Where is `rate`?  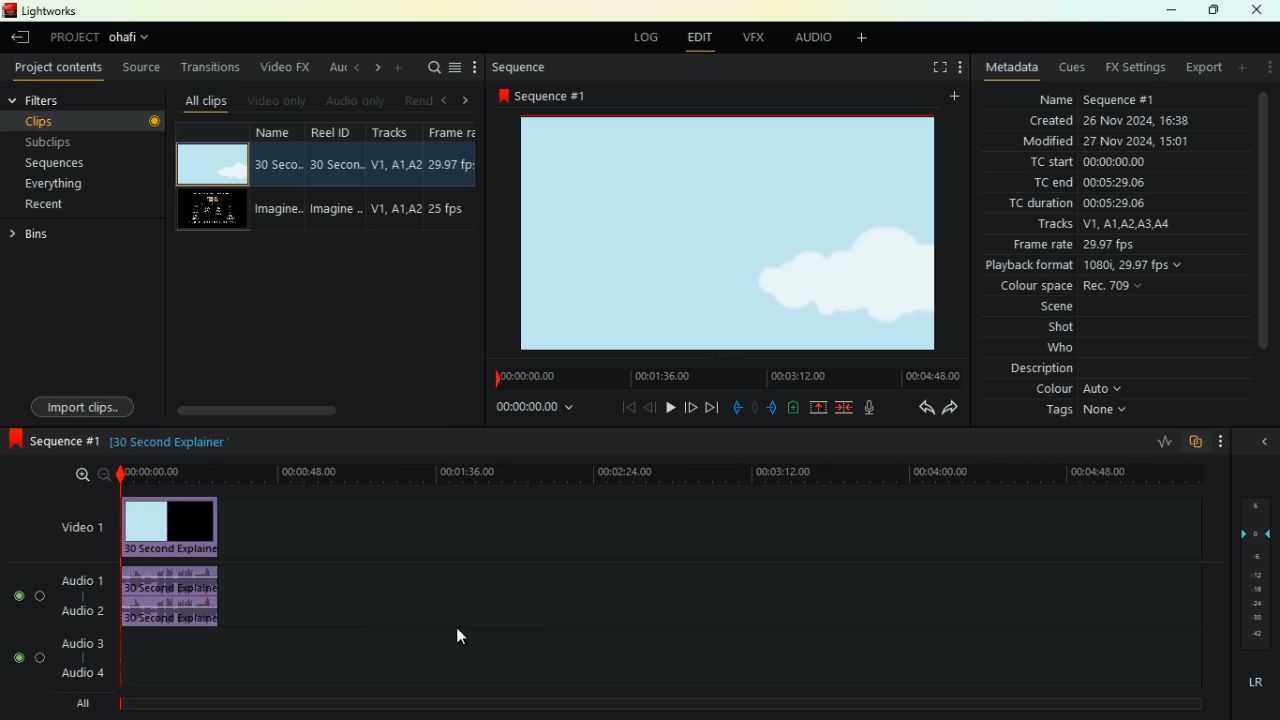
rate is located at coordinates (1162, 440).